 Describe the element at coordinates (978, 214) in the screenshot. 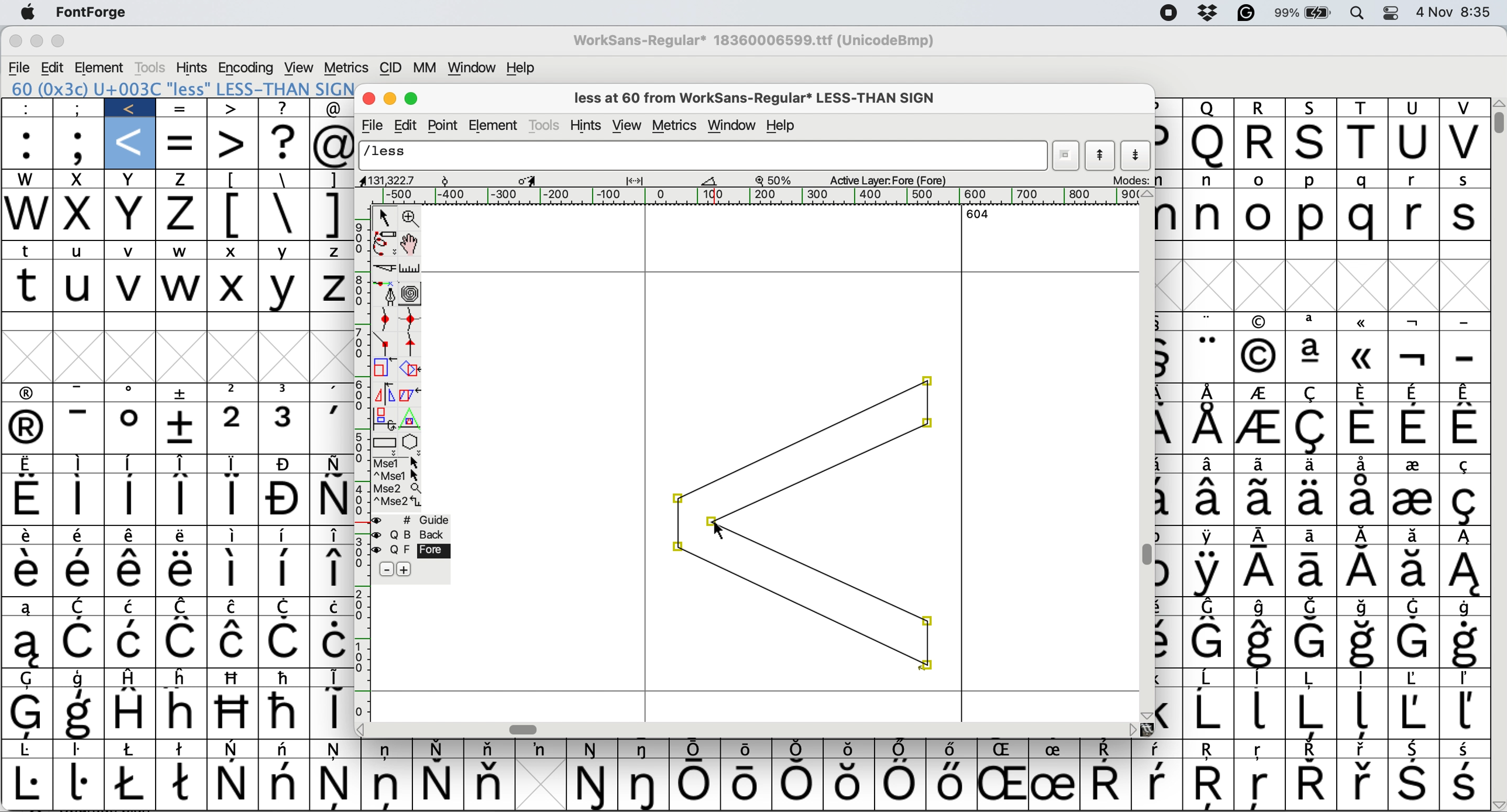

I see `604` at that location.